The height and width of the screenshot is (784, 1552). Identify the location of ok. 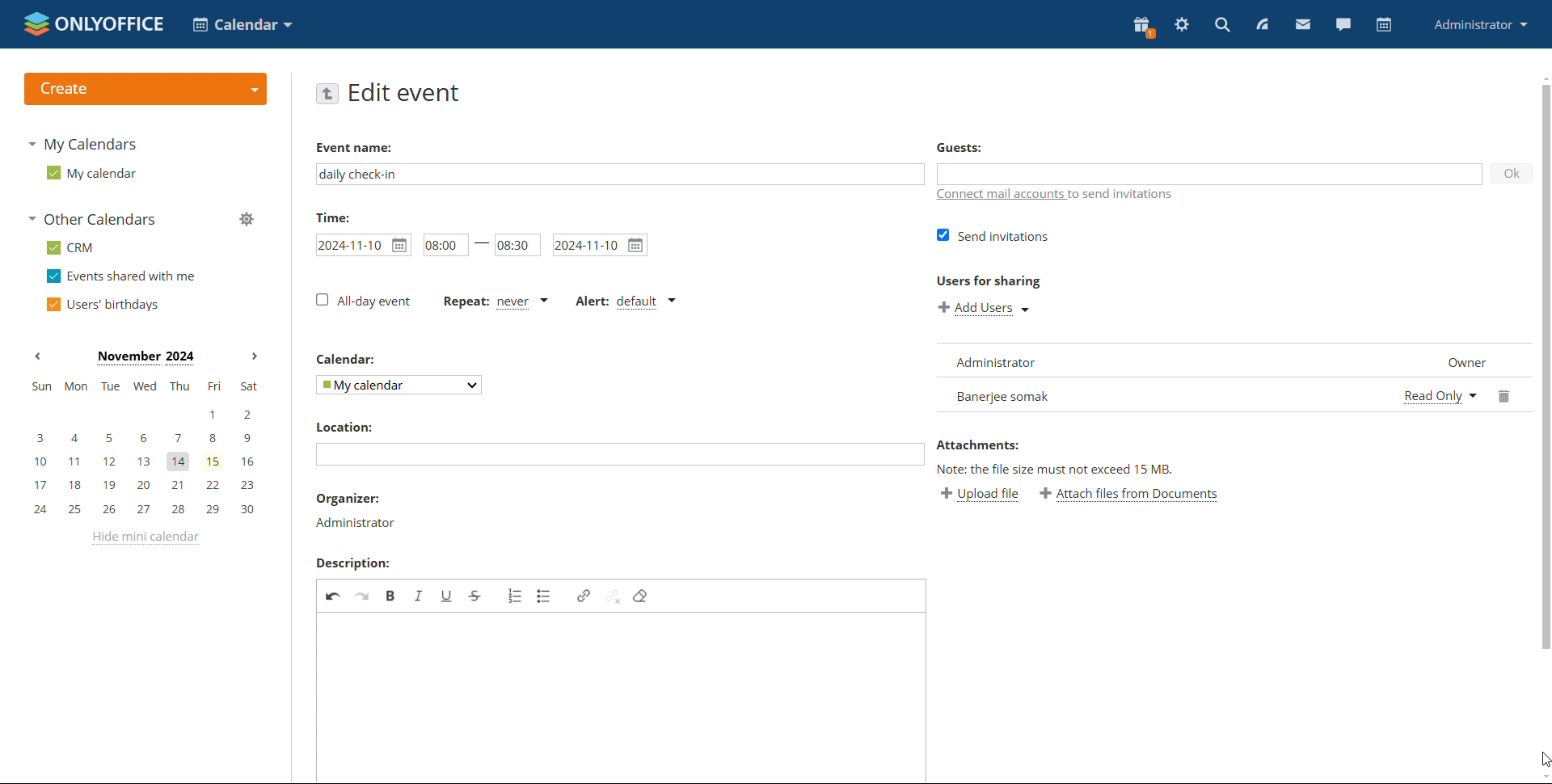
(1505, 177).